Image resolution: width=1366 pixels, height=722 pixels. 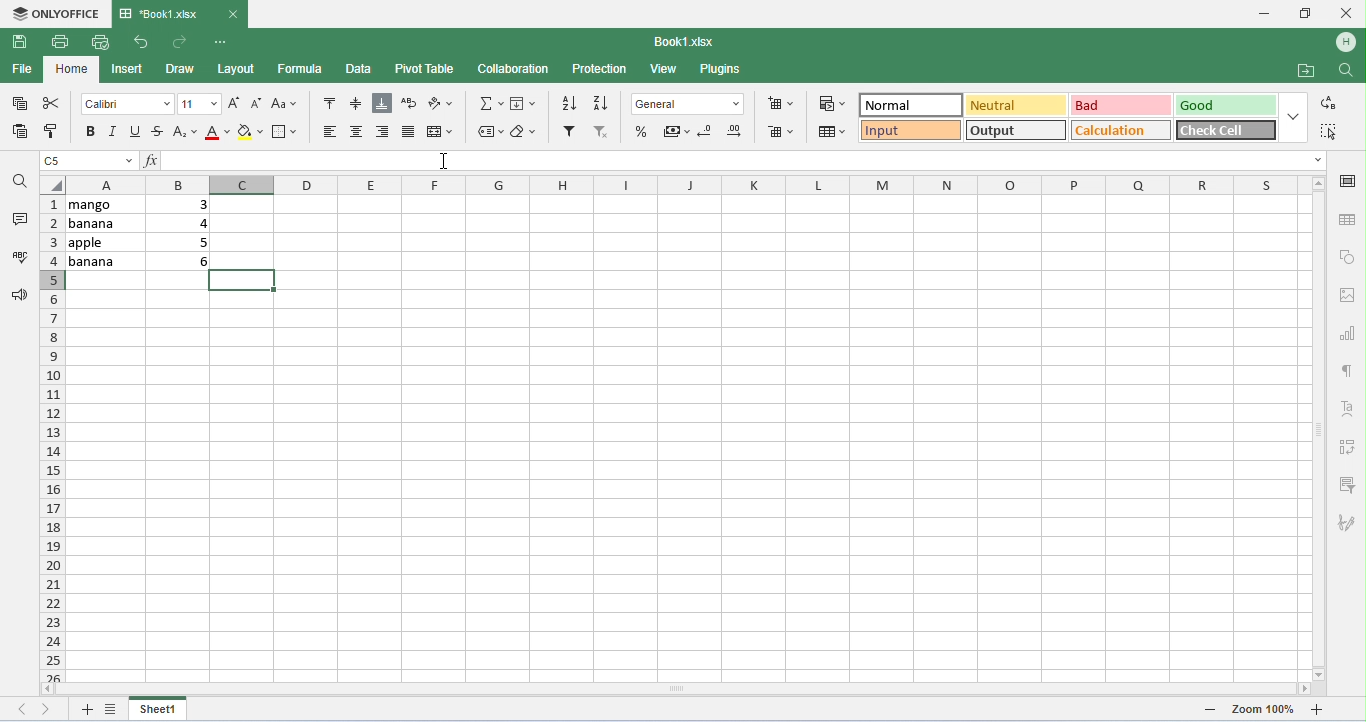 What do you see at coordinates (441, 133) in the screenshot?
I see `merge and center` at bounding box center [441, 133].